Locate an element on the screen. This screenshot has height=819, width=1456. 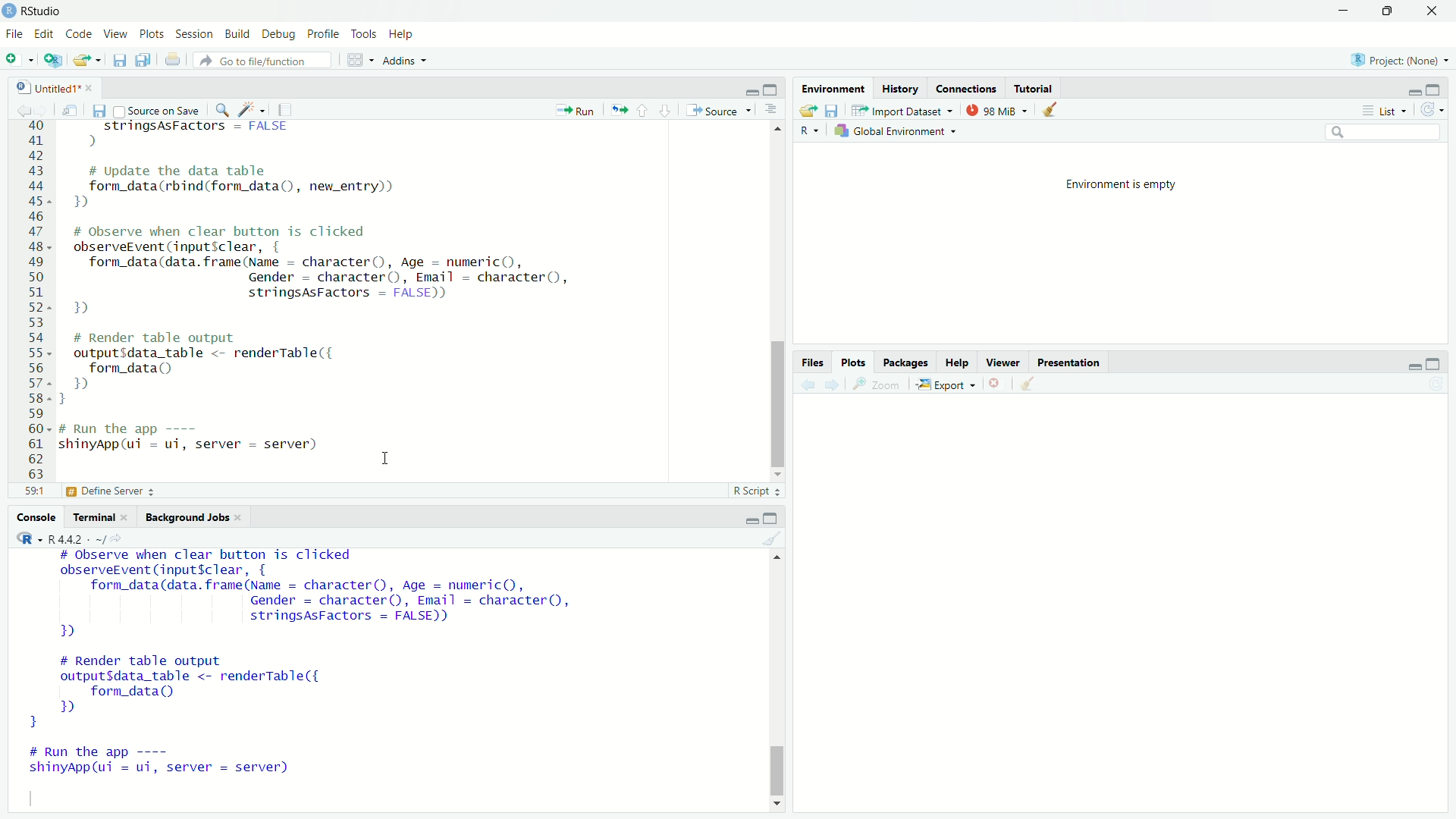
remove the current plot is located at coordinates (995, 386).